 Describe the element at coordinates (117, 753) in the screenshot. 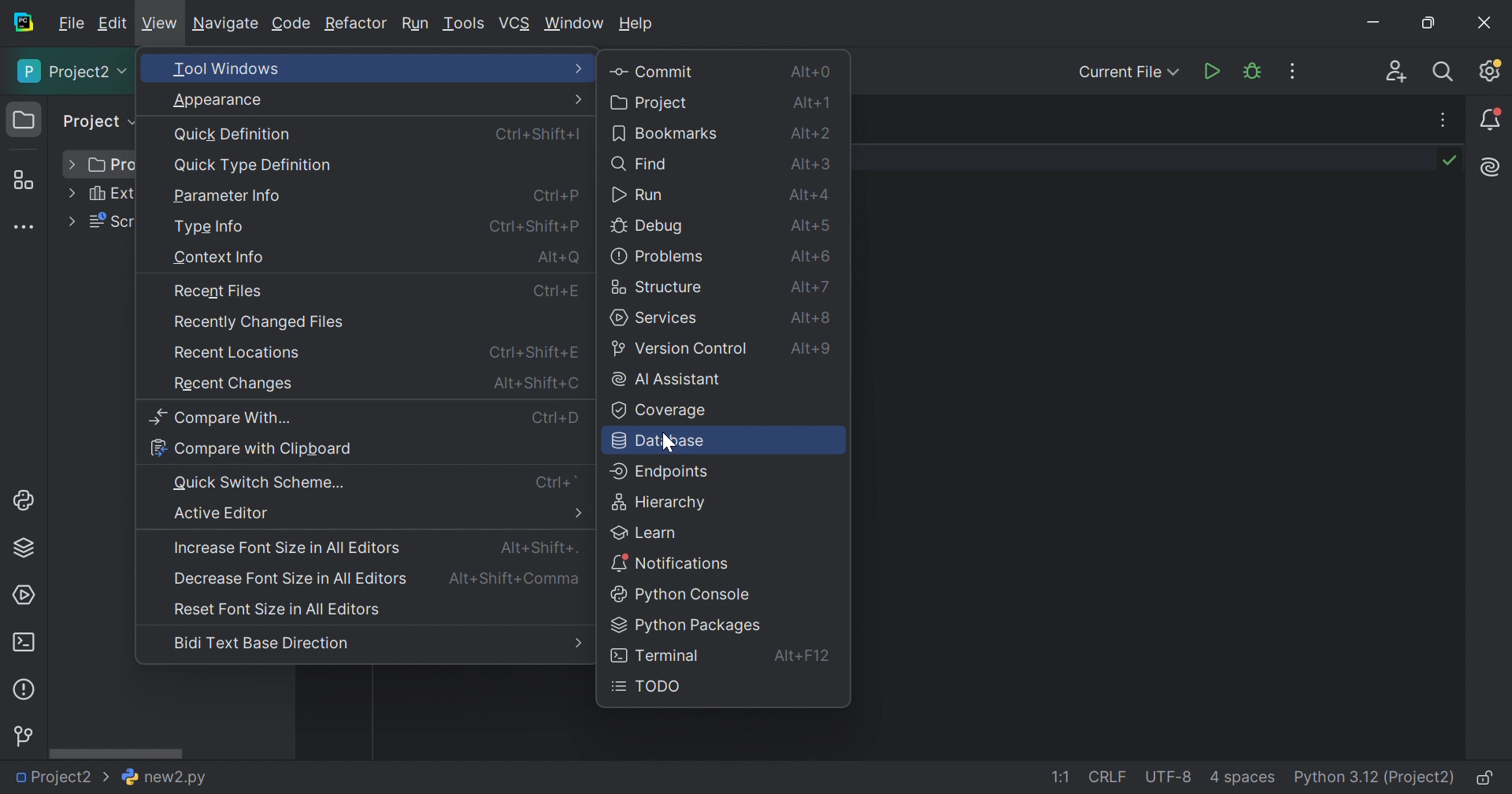

I see `Scroll bar` at that location.